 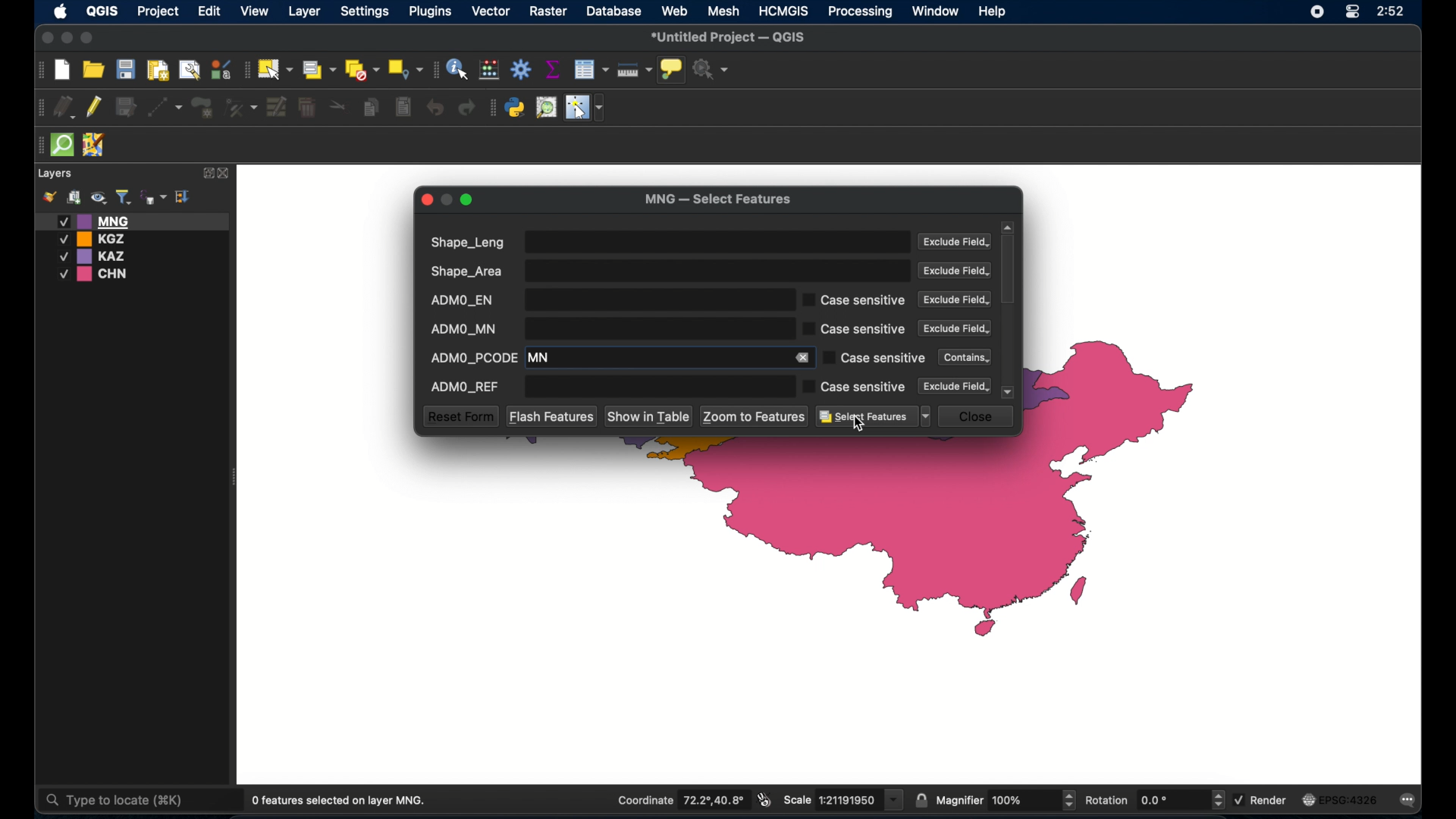 I want to click on delete selected, so click(x=403, y=107).